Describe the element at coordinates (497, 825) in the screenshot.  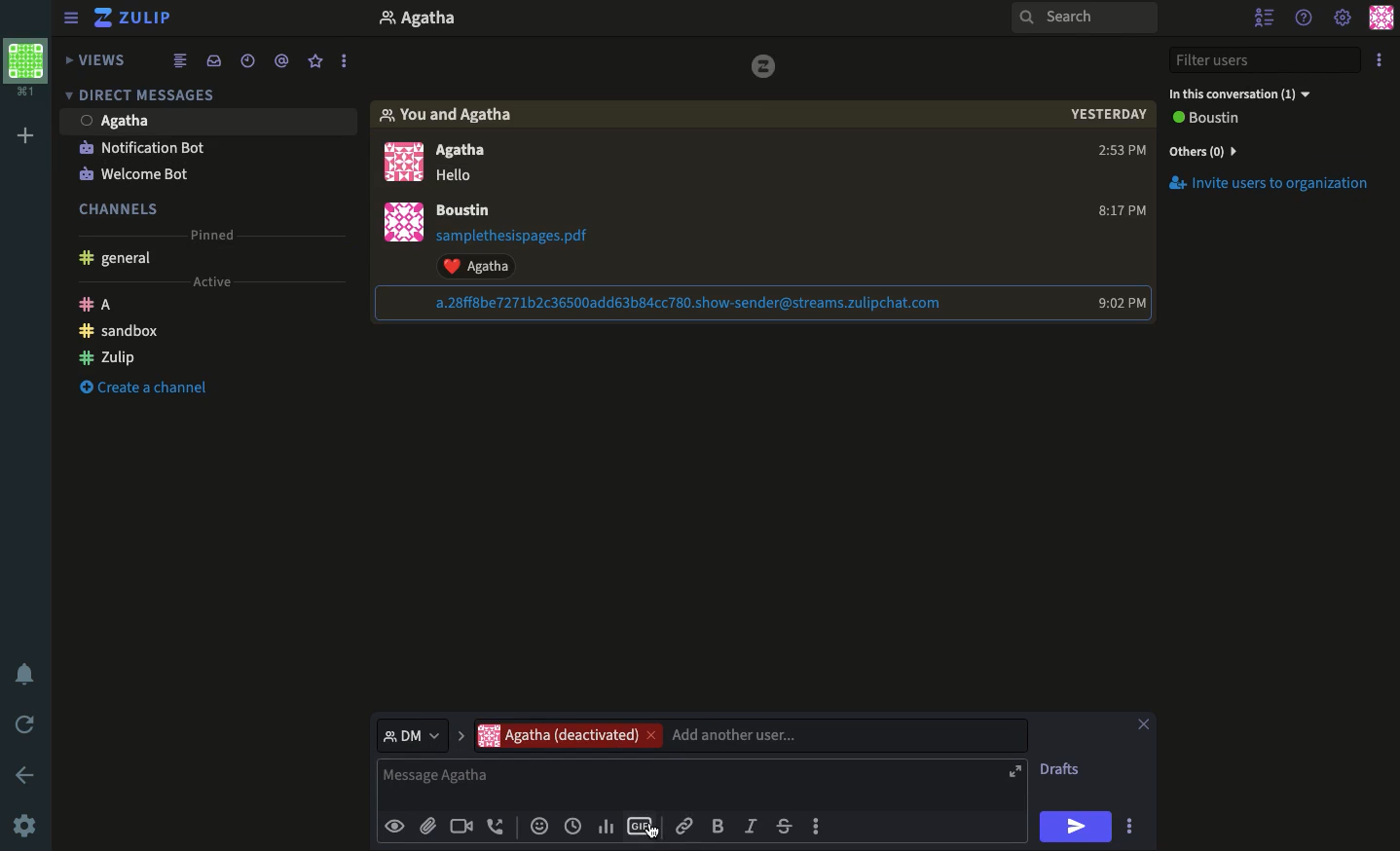
I see `Voice call` at that location.